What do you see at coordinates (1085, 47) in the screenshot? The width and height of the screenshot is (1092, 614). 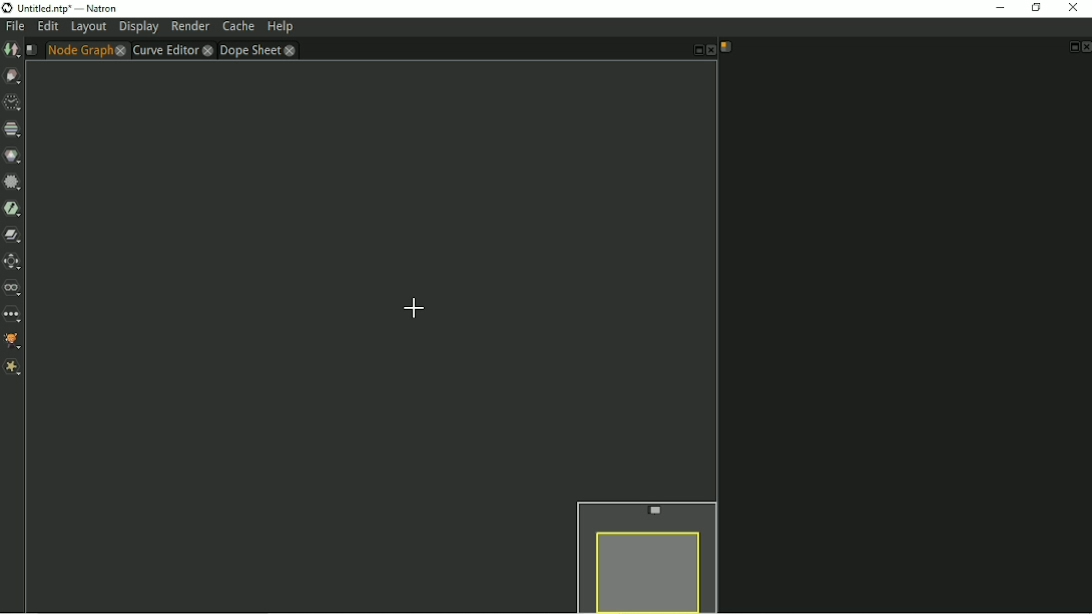 I see `Close` at bounding box center [1085, 47].